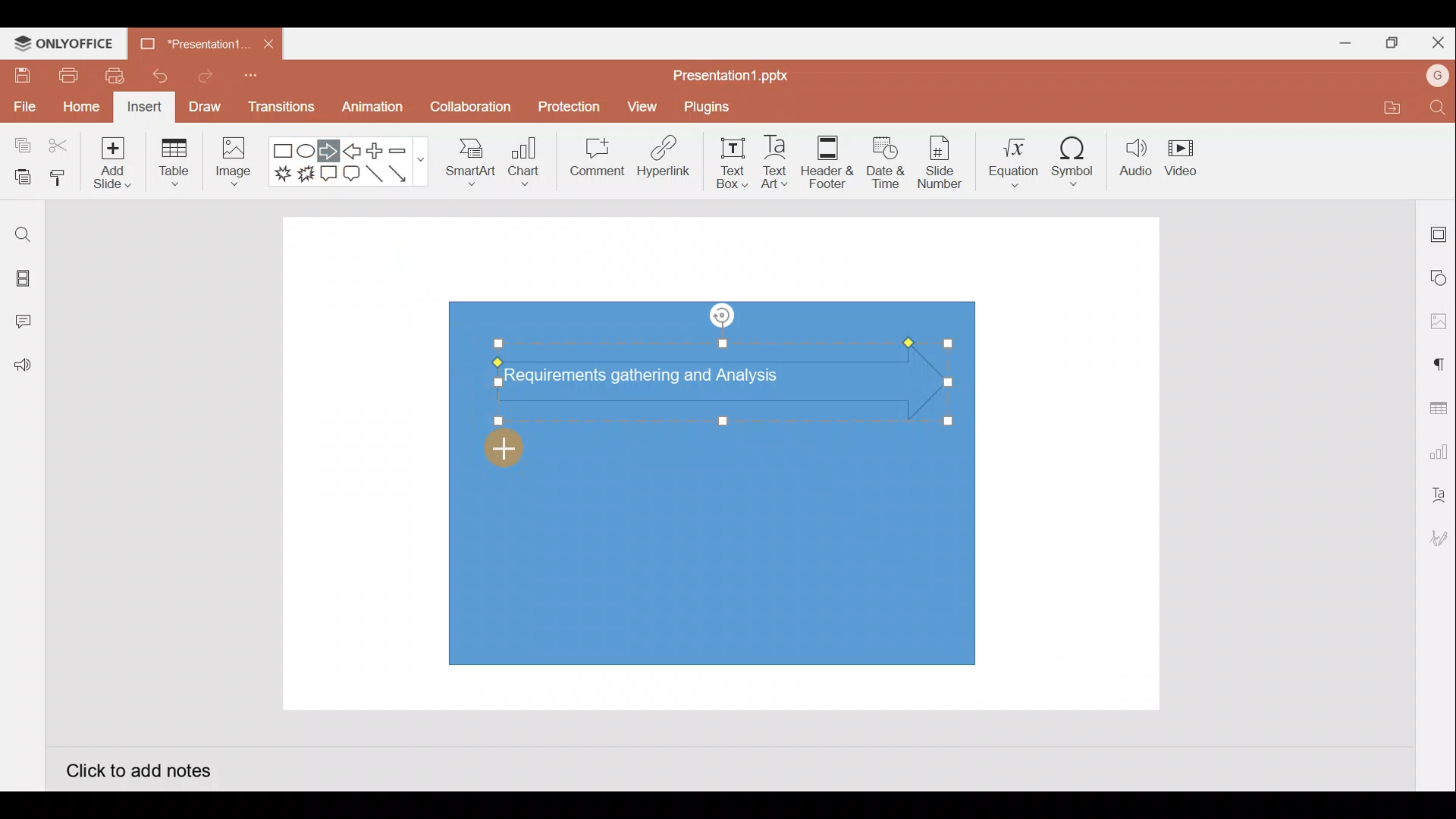 This screenshot has height=819, width=1456. I want to click on Paste, so click(19, 178).